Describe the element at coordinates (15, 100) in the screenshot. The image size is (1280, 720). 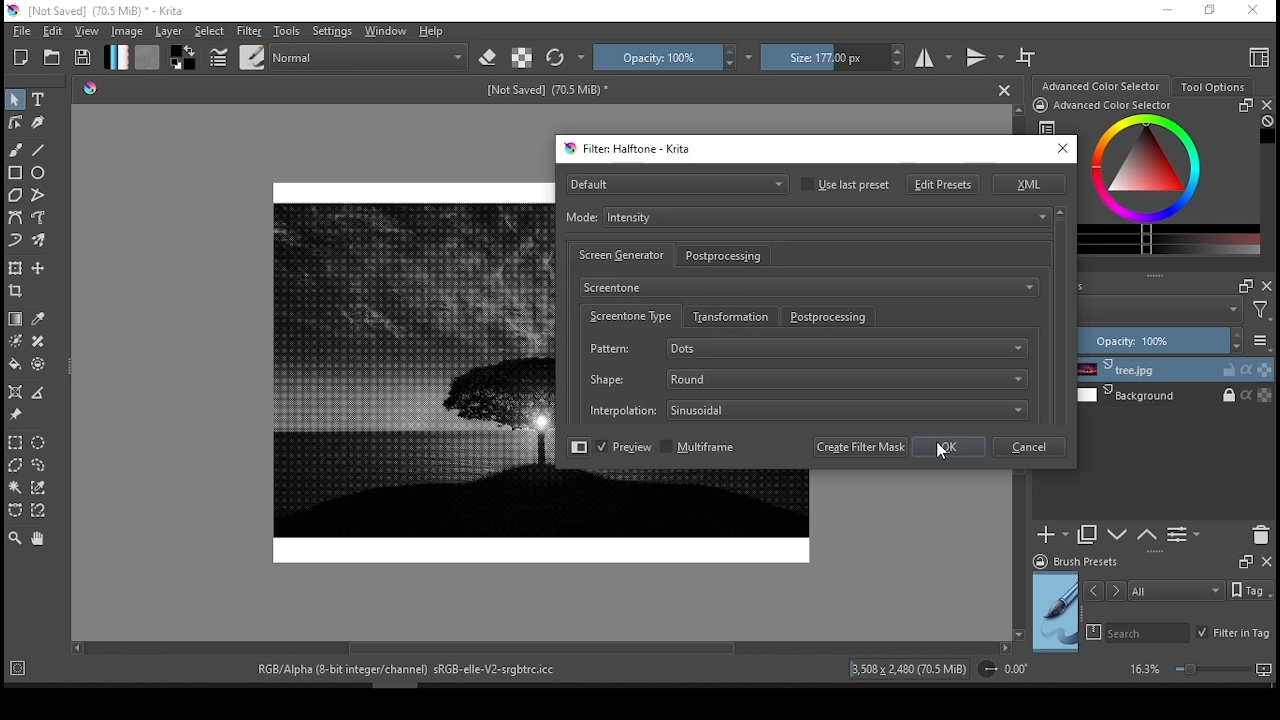
I see `select shapes tool` at that location.